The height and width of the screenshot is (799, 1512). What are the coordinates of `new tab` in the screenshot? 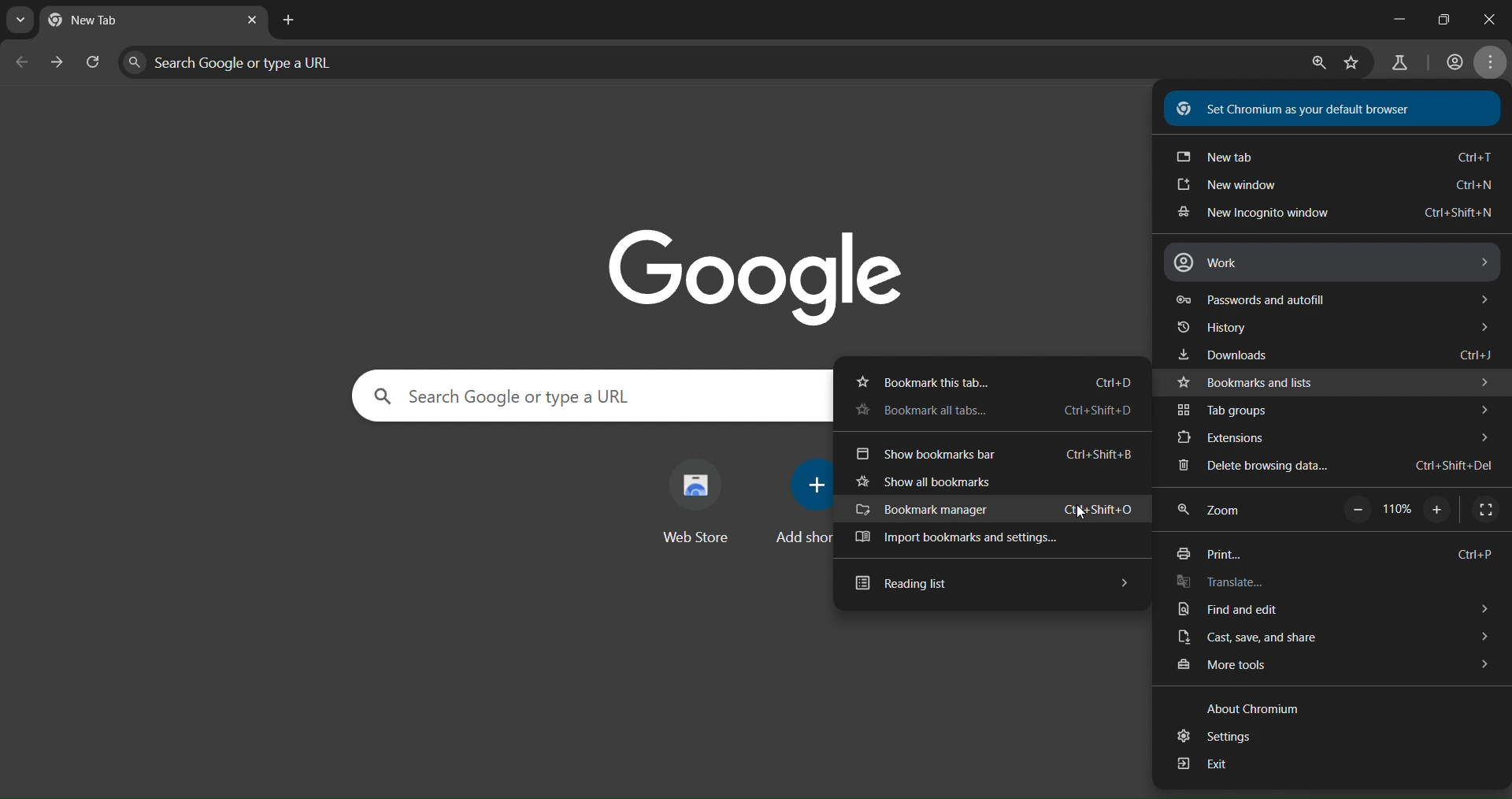 It's located at (1332, 158).